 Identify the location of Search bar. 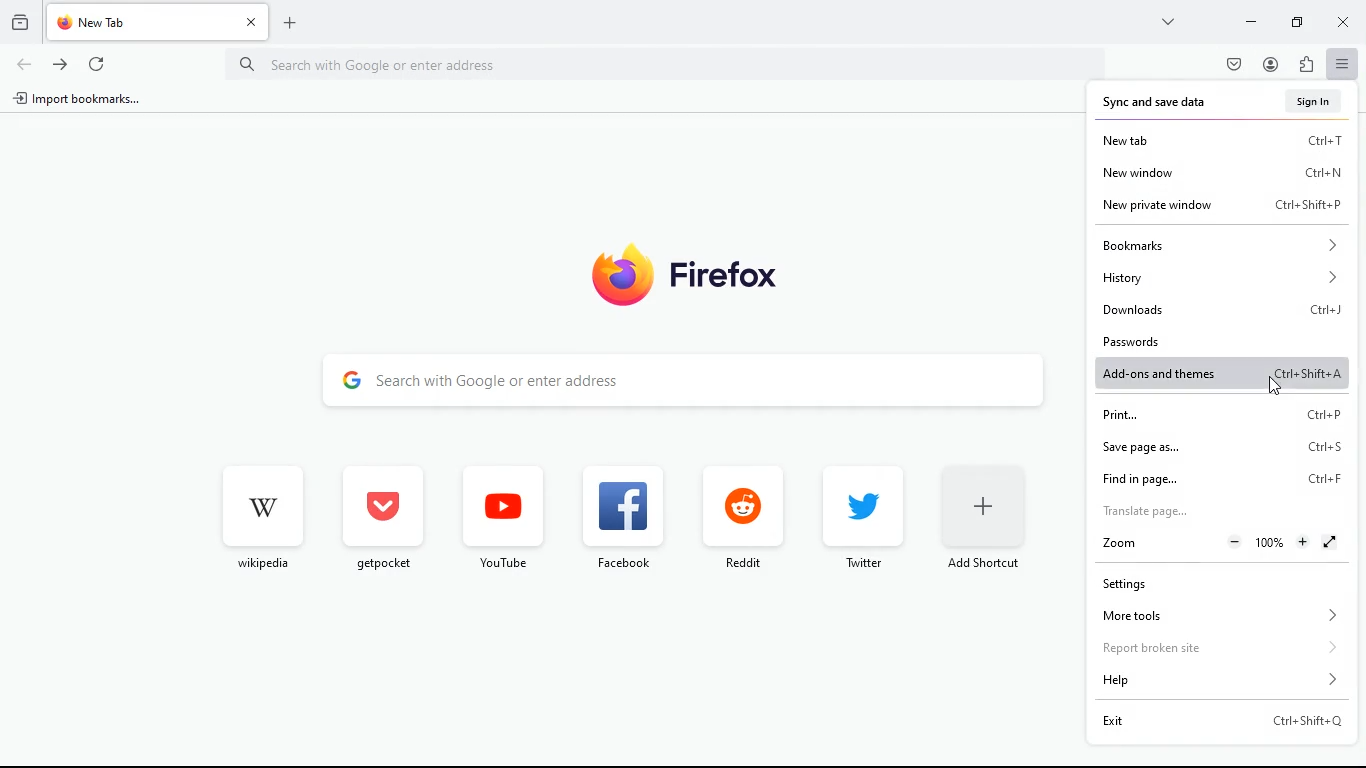
(678, 66).